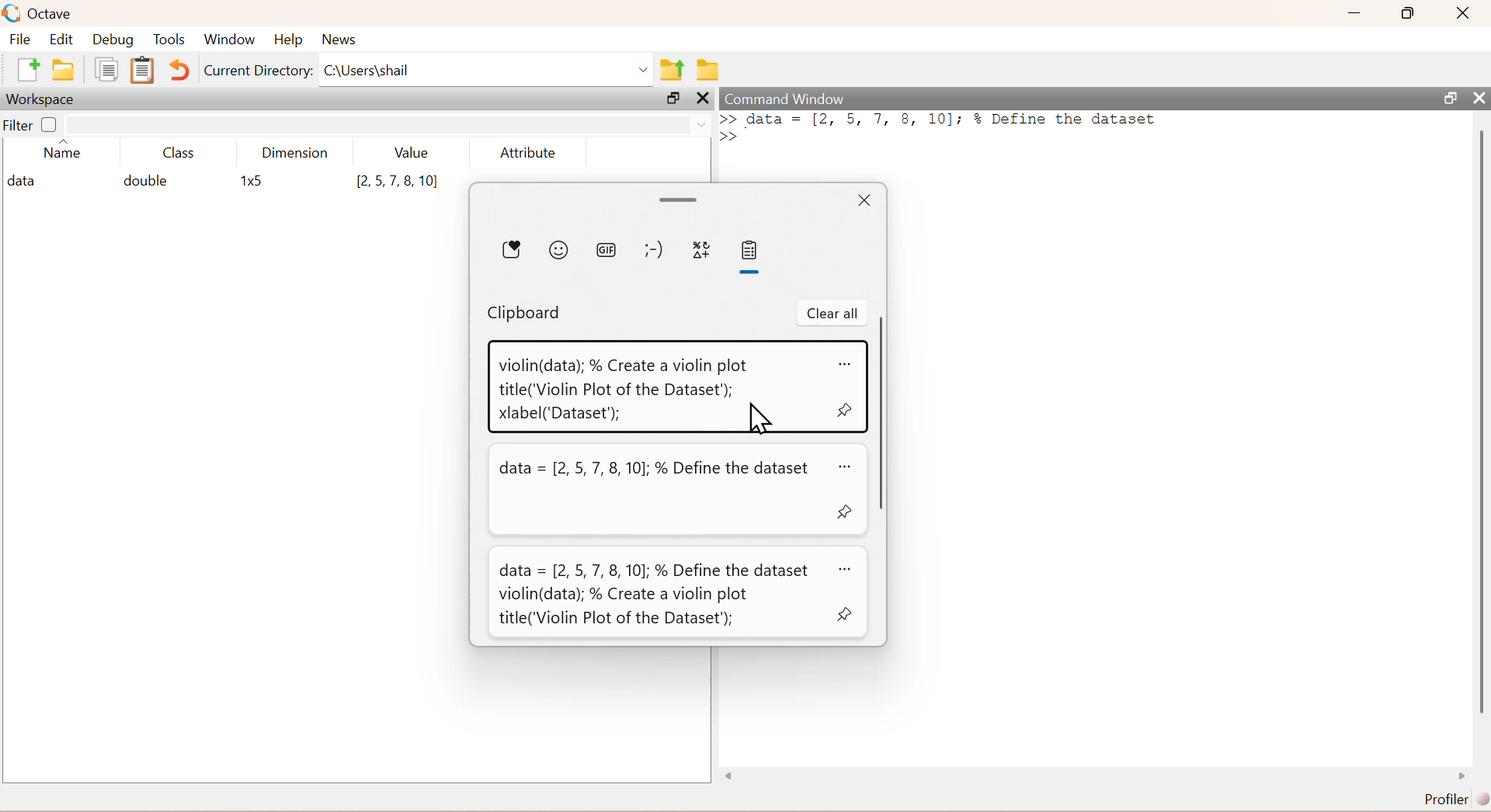 Image resolution: width=1491 pixels, height=812 pixels. Describe the element at coordinates (847, 468) in the screenshot. I see `options` at that location.